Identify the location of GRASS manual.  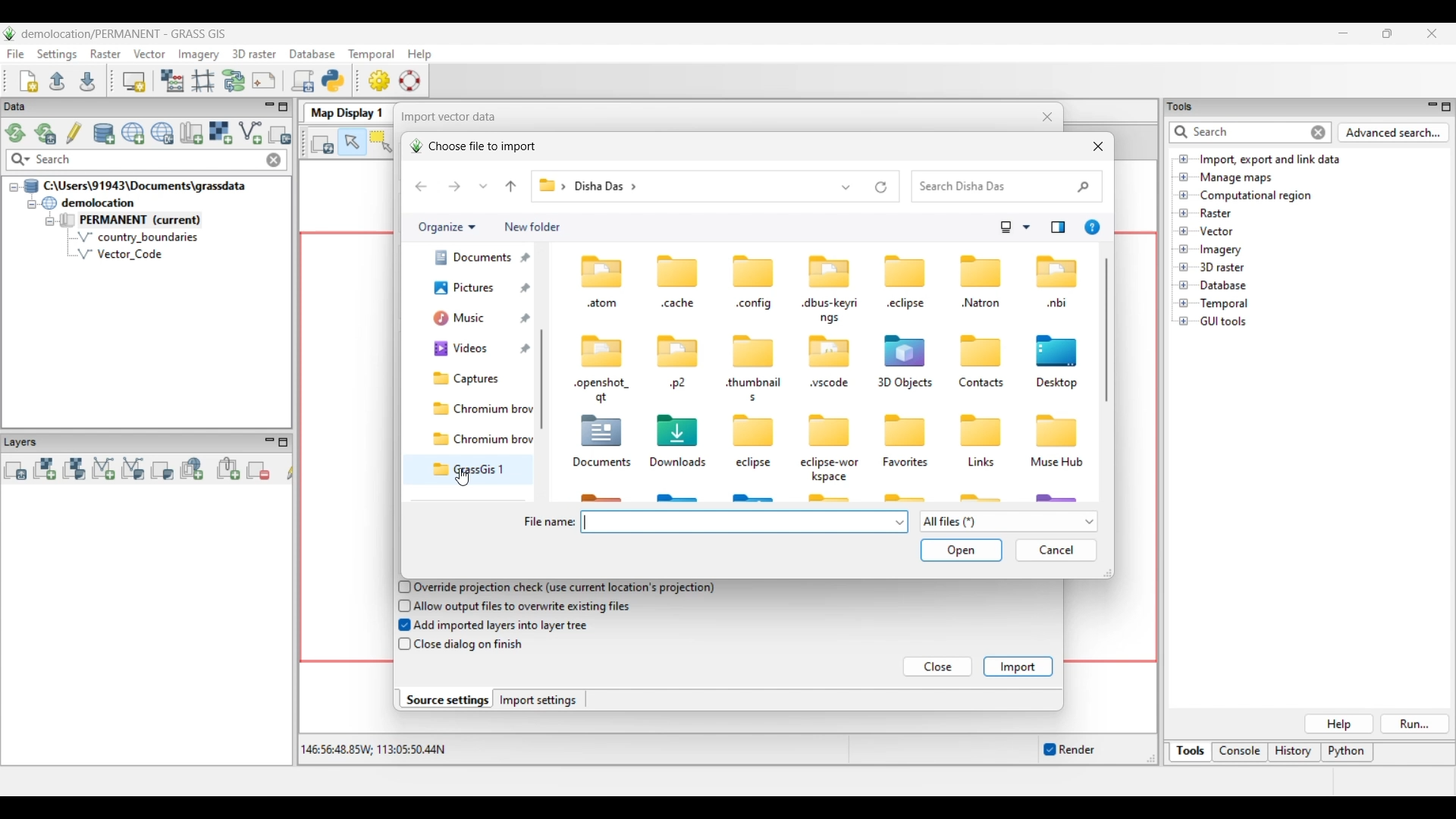
(409, 80).